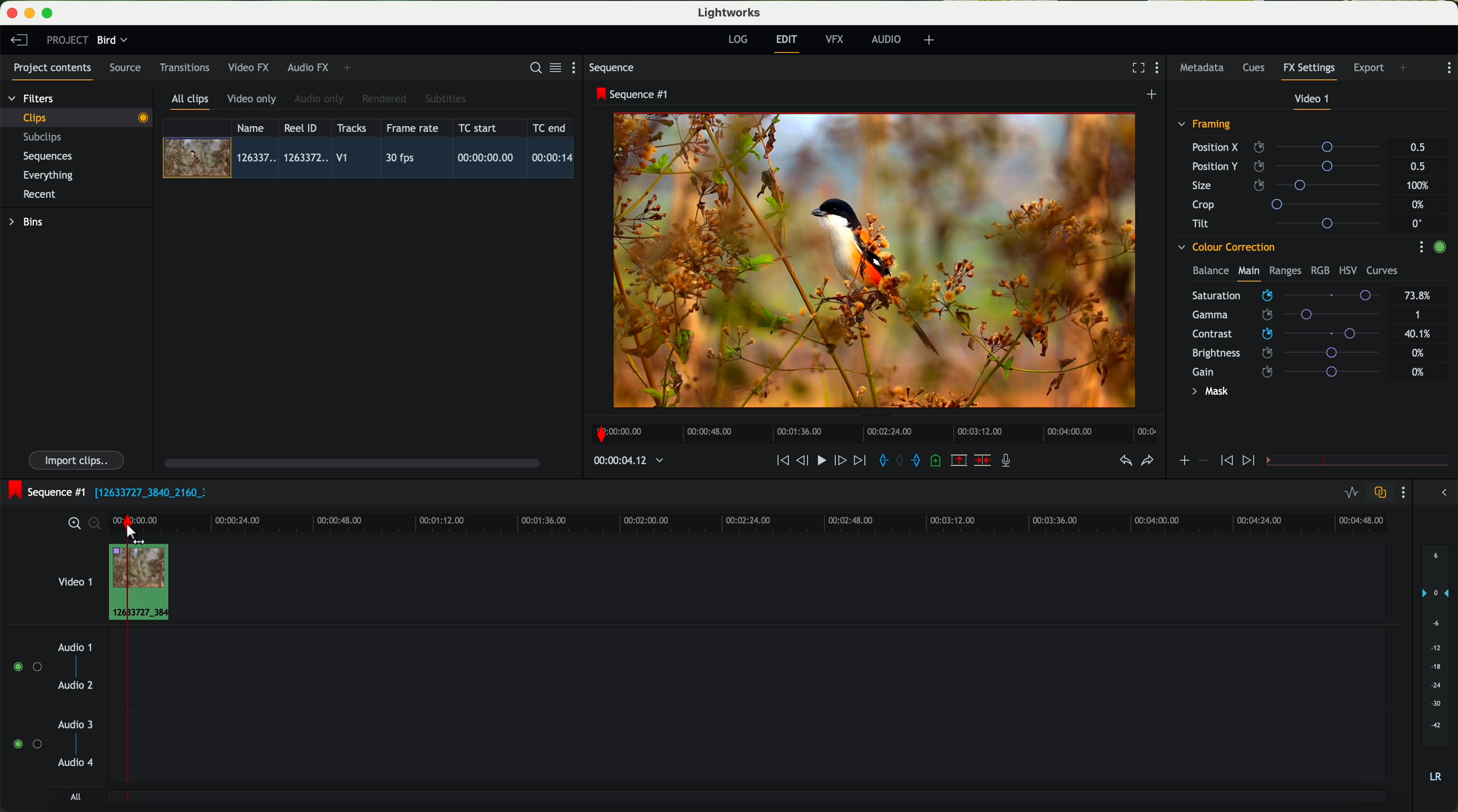 The image size is (1458, 812). I want to click on audio, so click(886, 39).